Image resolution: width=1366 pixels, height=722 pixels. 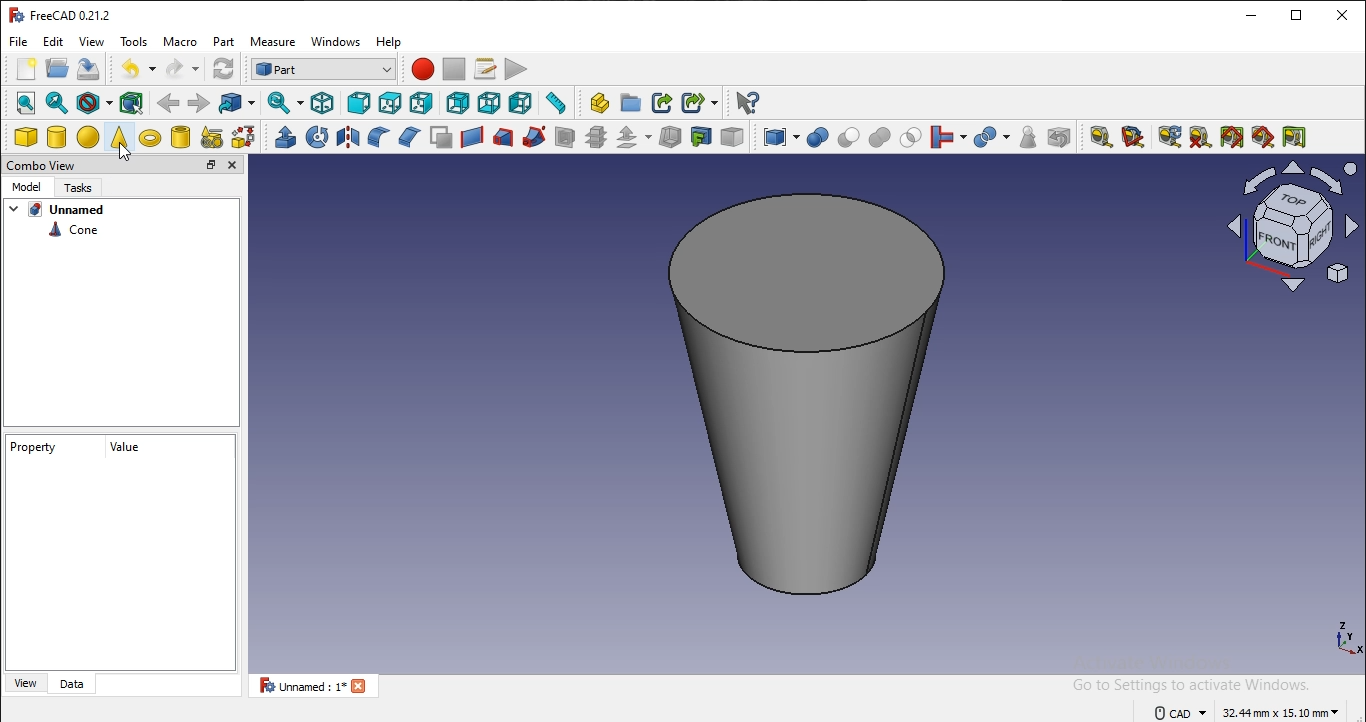 I want to click on sync view, so click(x=280, y=102).